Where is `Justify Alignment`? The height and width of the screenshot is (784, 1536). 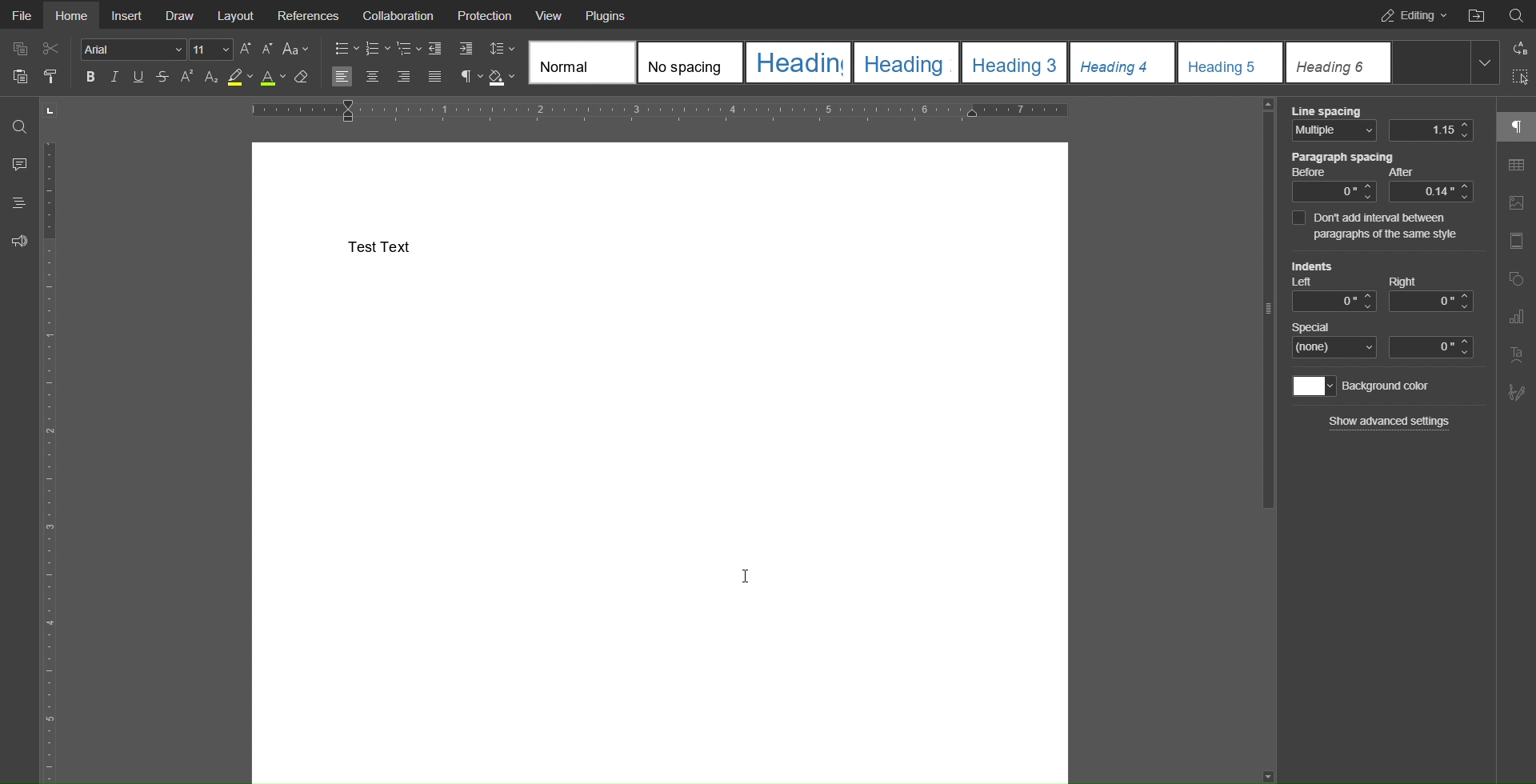
Justify Alignment is located at coordinates (434, 78).